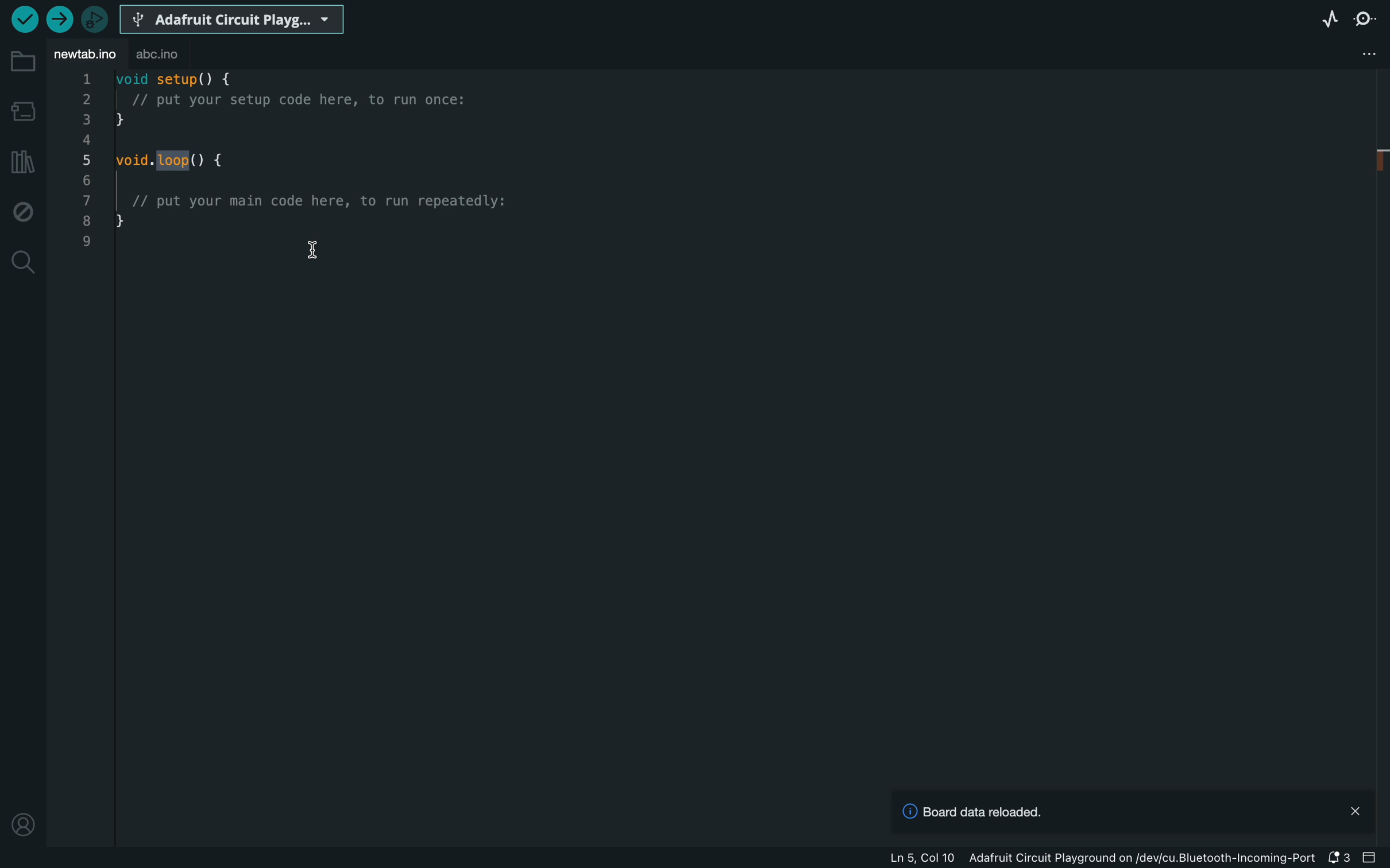  I want to click on 8, so click(86, 220).